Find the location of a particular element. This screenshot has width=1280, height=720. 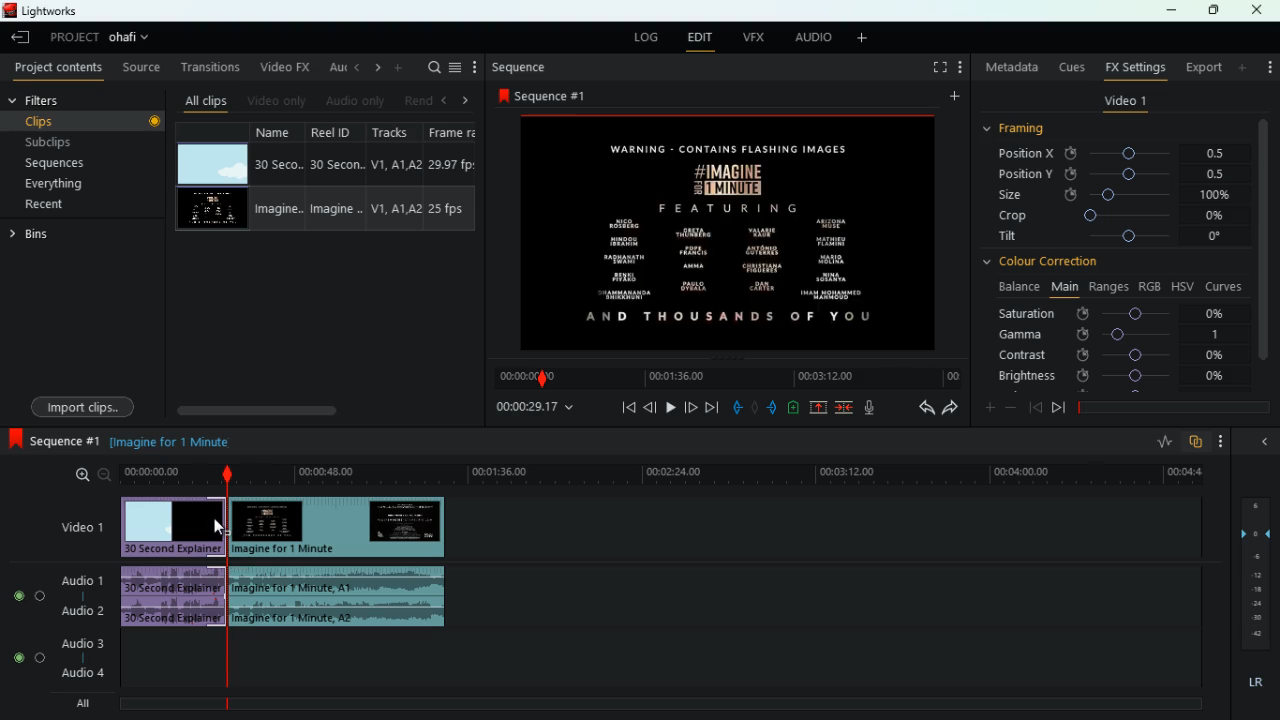

forward is located at coordinates (711, 408).